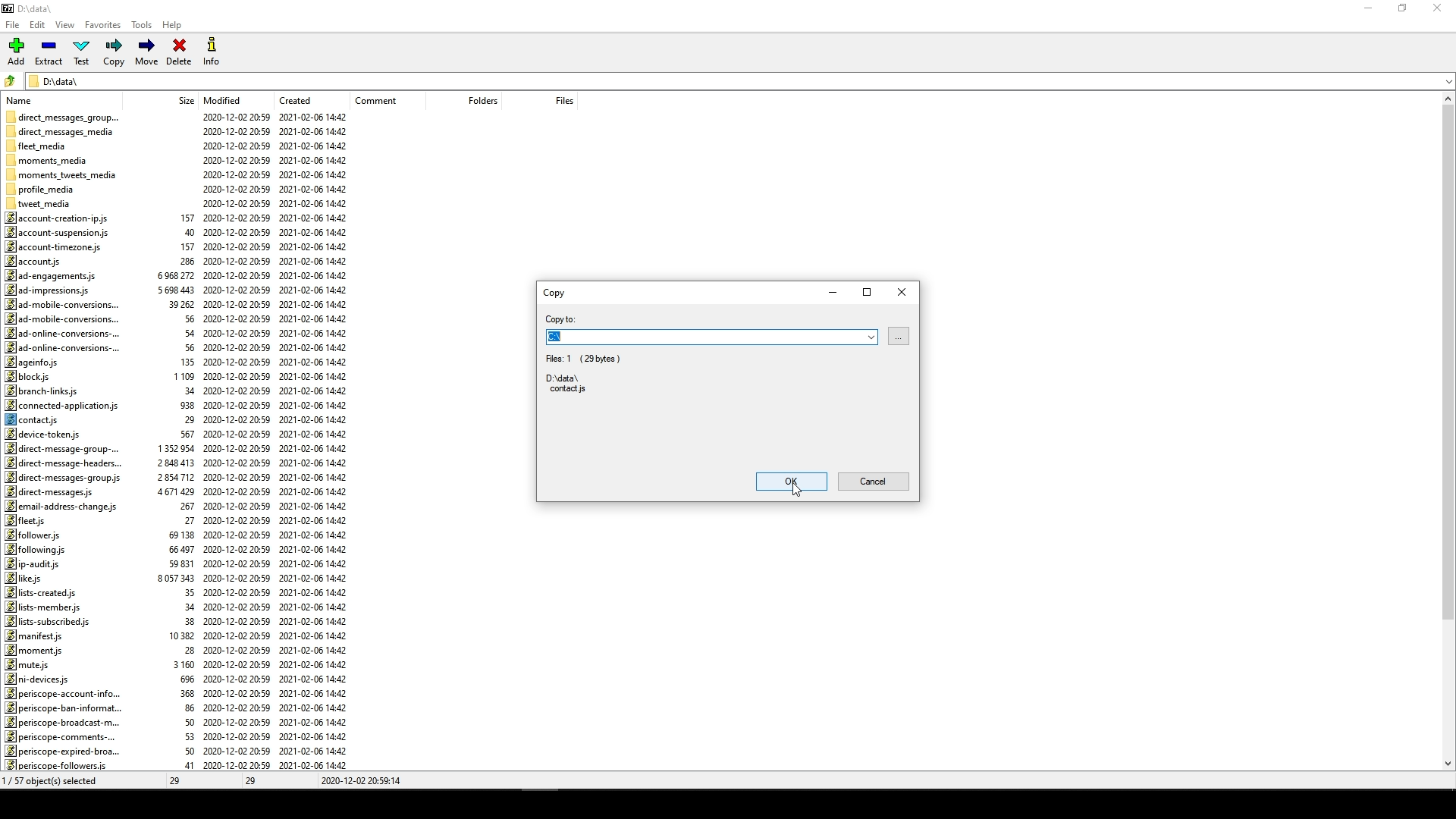  I want to click on folders, so click(472, 102).